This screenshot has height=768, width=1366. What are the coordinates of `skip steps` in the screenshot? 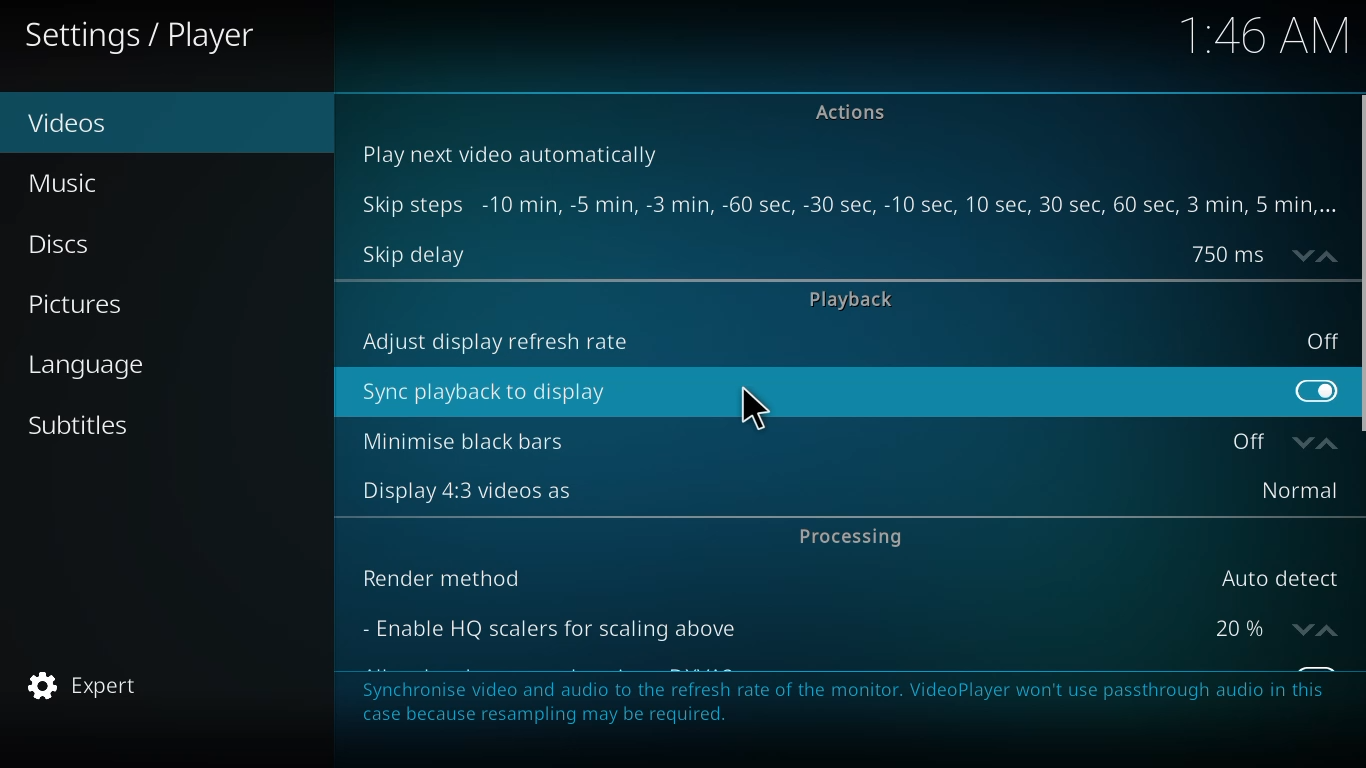 It's located at (407, 205).